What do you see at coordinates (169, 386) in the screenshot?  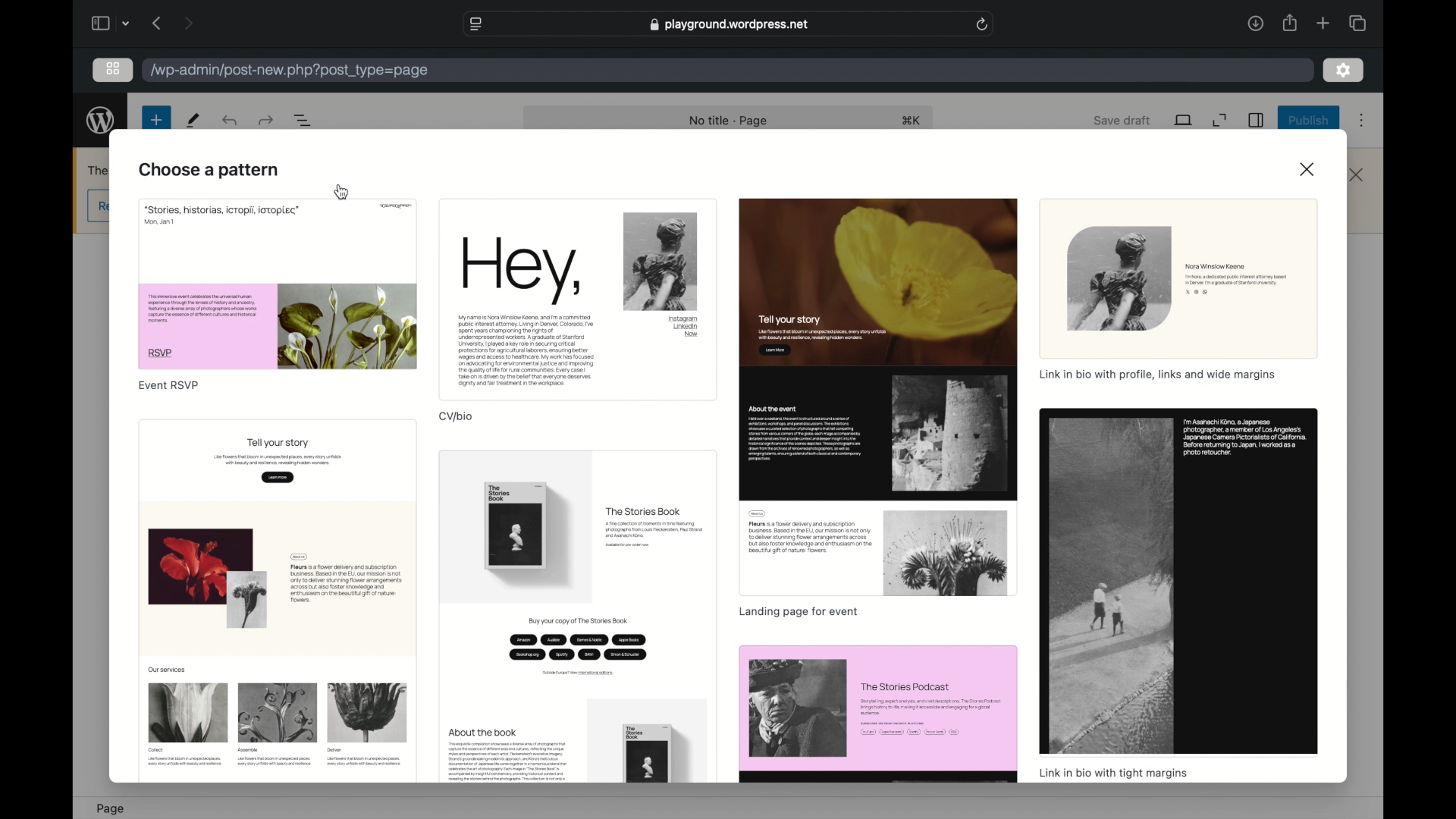 I see `event rsvp` at bounding box center [169, 386].